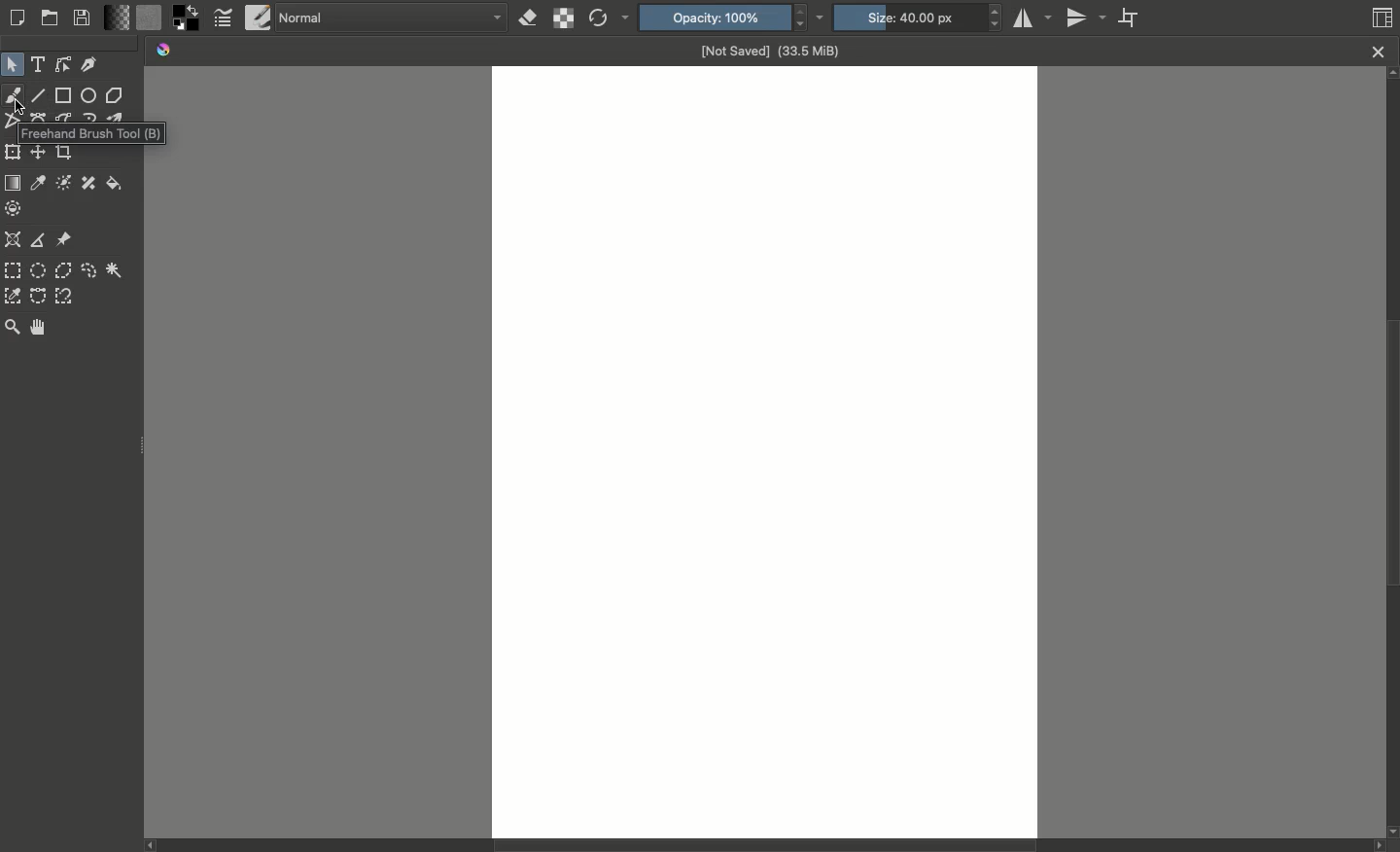 Image resolution: width=1400 pixels, height=852 pixels. Describe the element at coordinates (1391, 830) in the screenshot. I see `scroll down` at that location.